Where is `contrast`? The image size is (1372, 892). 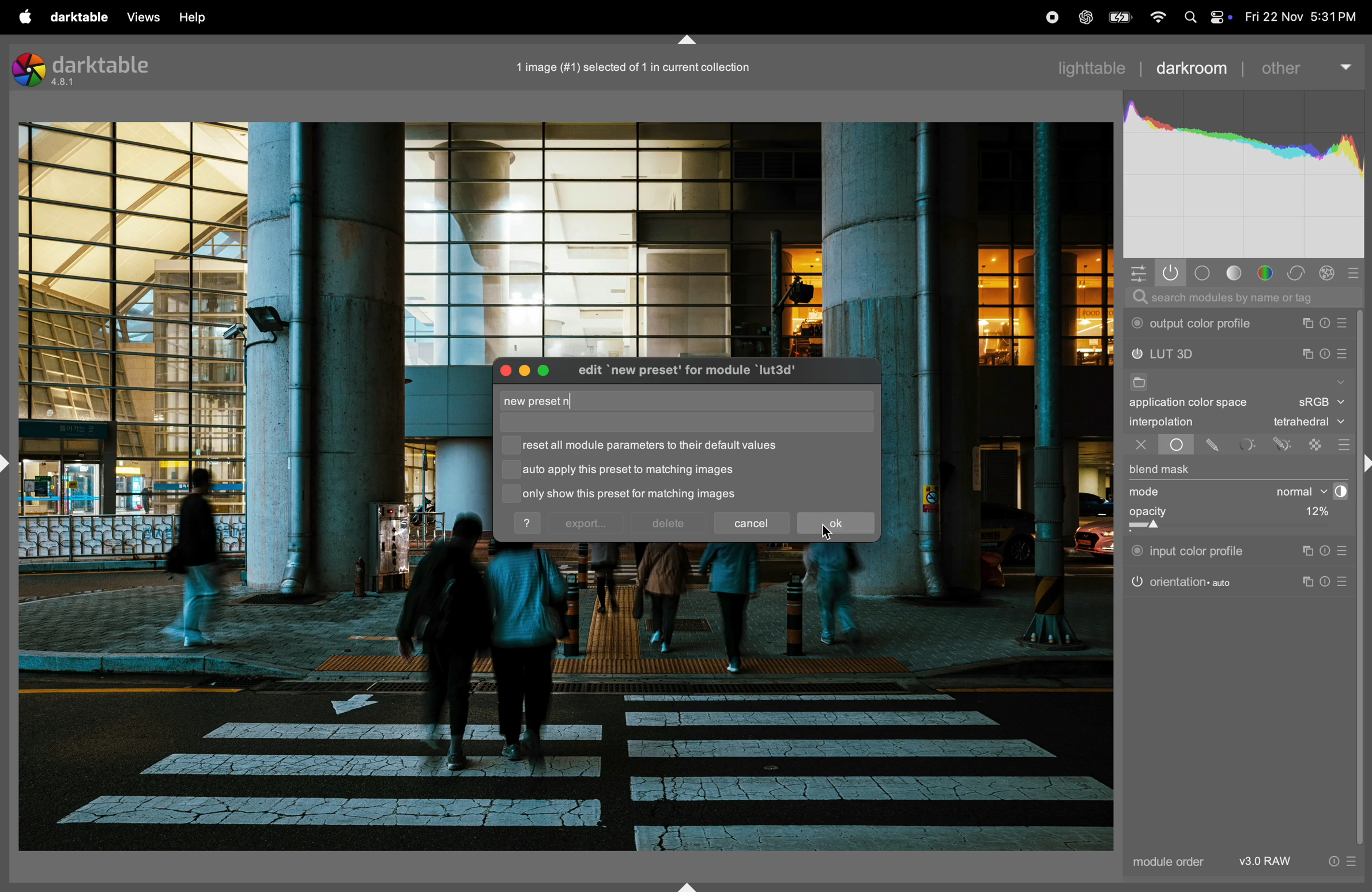
contrast is located at coordinates (1337, 492).